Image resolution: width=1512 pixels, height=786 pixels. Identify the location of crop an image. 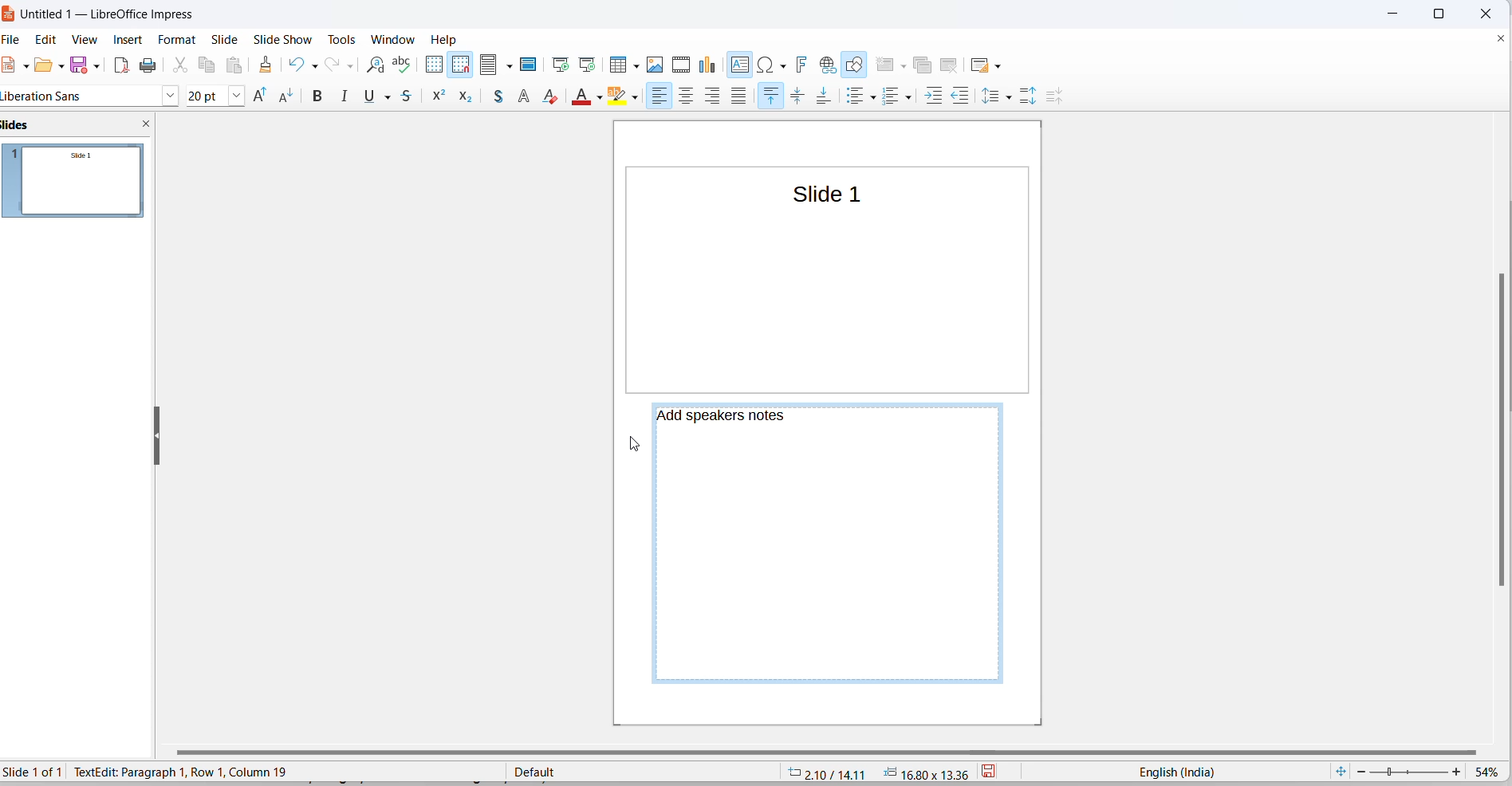
(755, 98).